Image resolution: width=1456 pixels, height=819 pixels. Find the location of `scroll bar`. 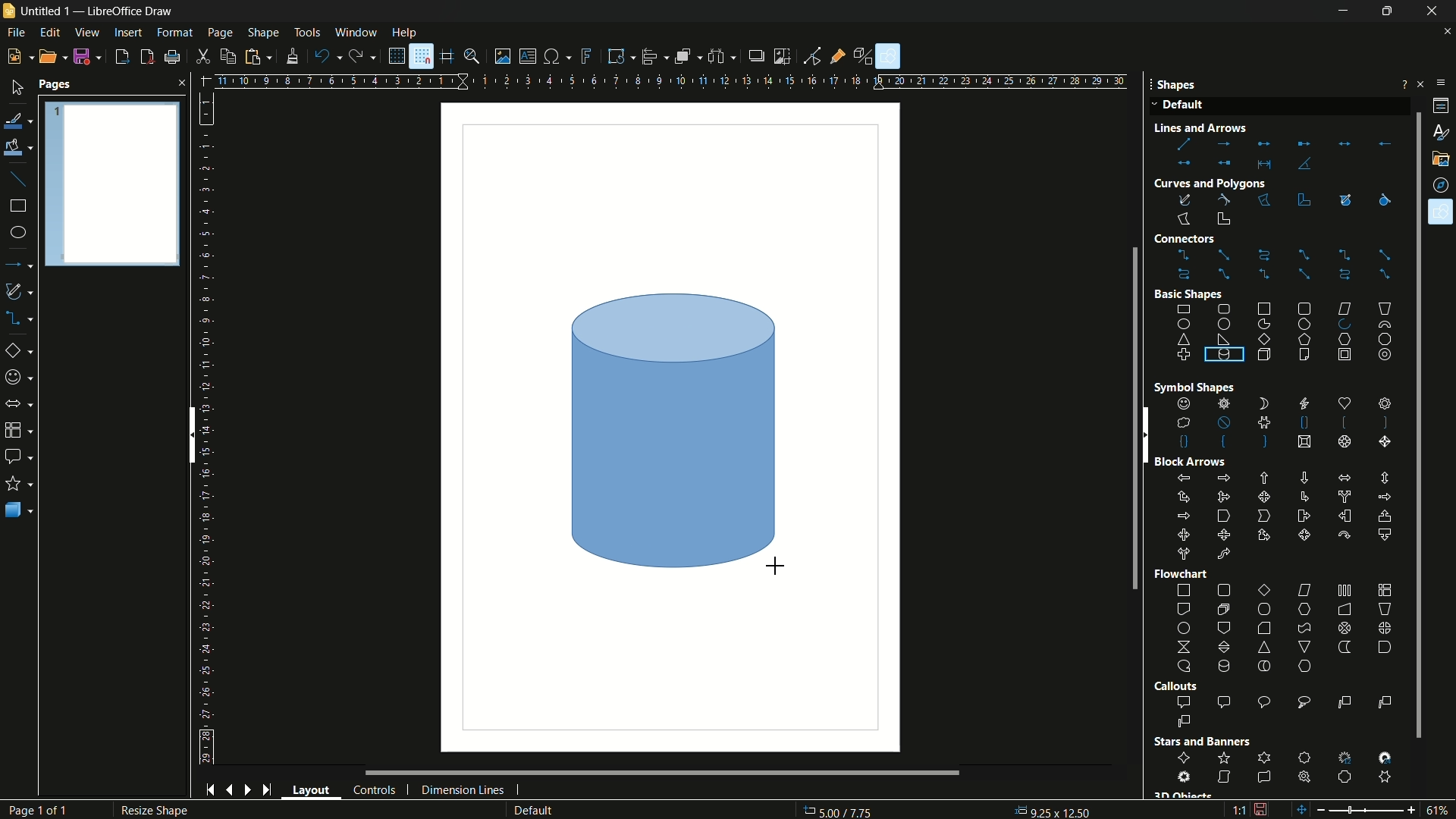

scroll bar is located at coordinates (634, 773).